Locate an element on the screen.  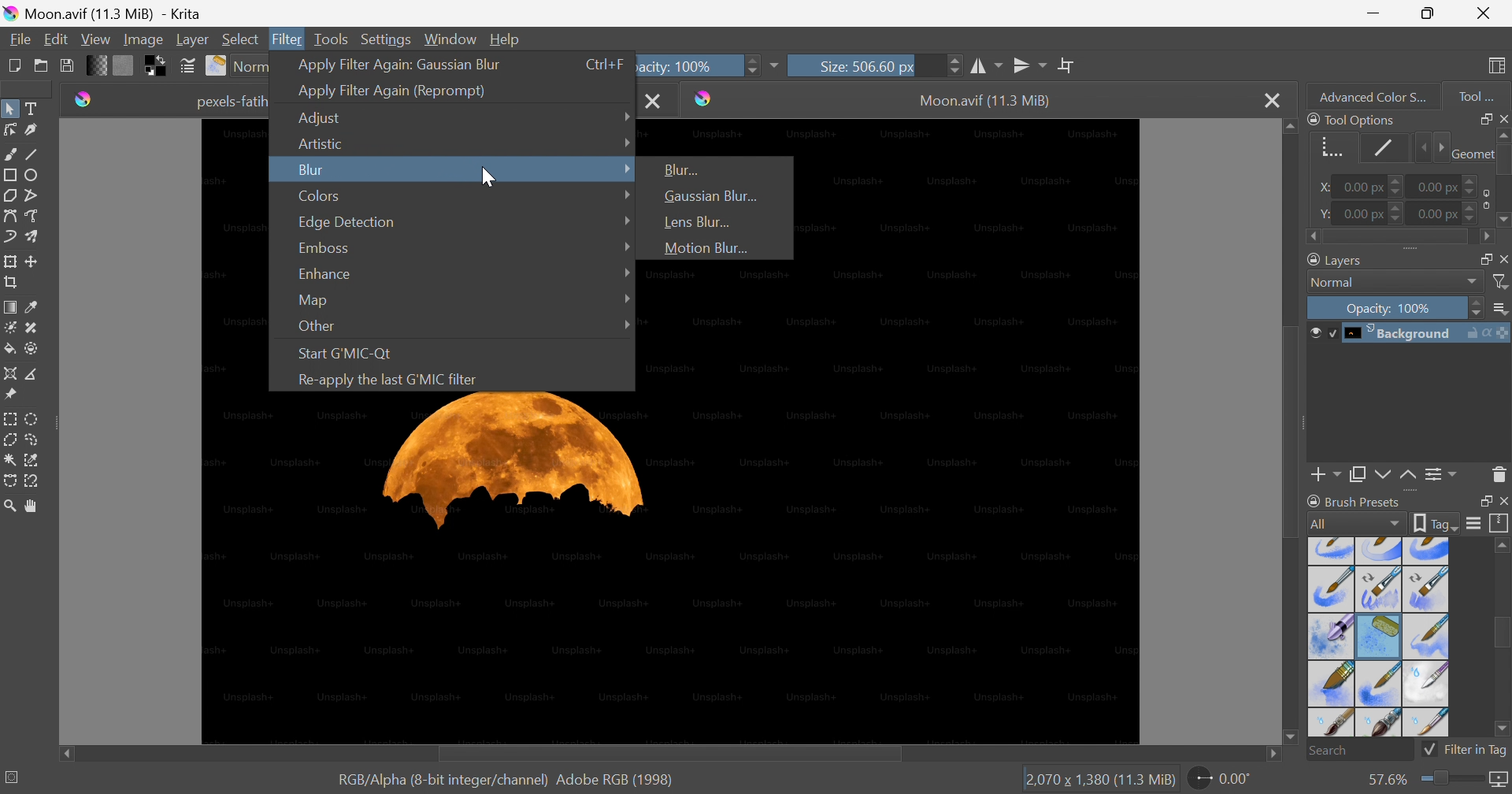
Motion Blur... is located at coordinates (707, 248).